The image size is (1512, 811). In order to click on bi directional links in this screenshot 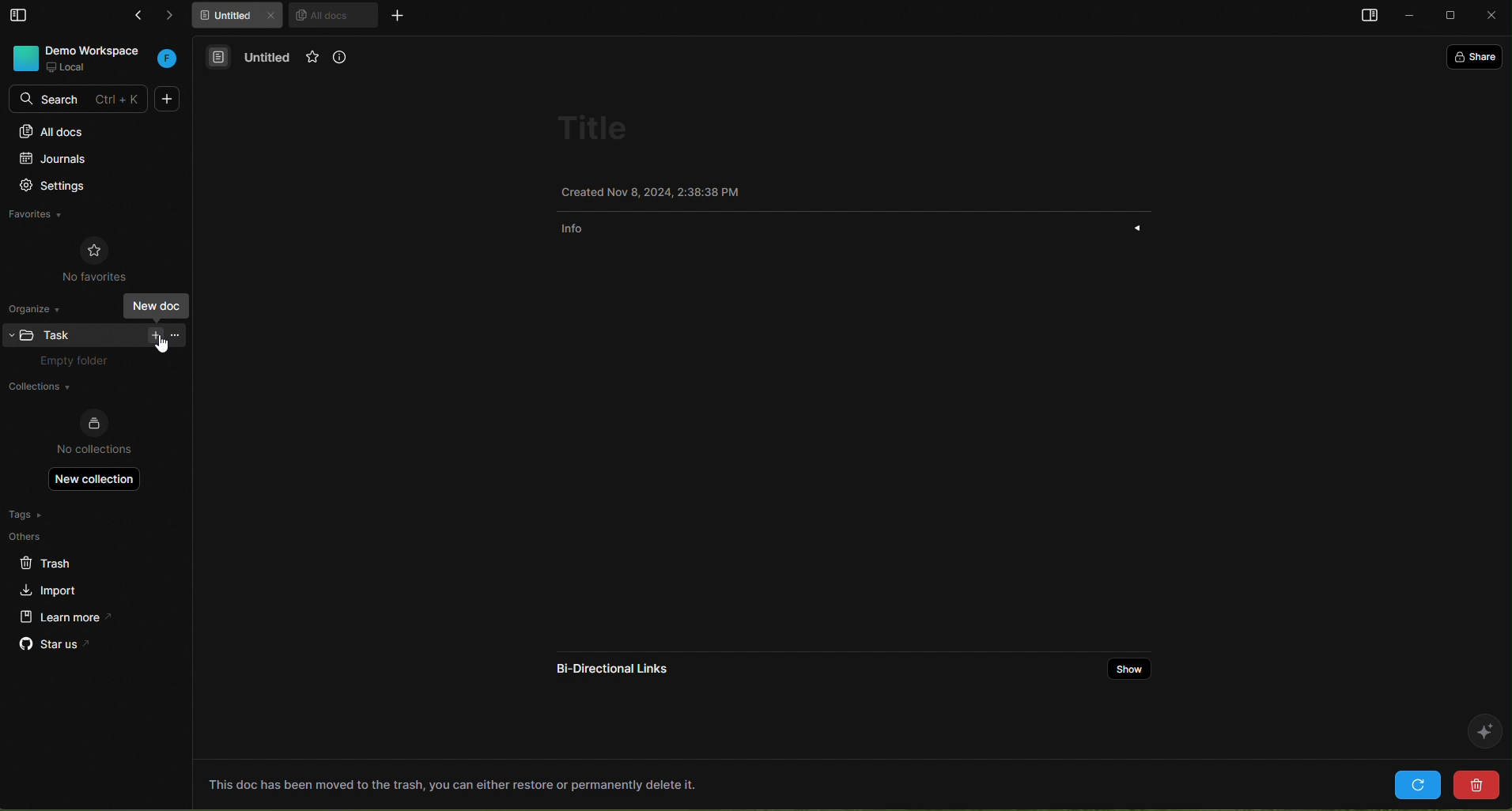, I will do `click(607, 665)`.